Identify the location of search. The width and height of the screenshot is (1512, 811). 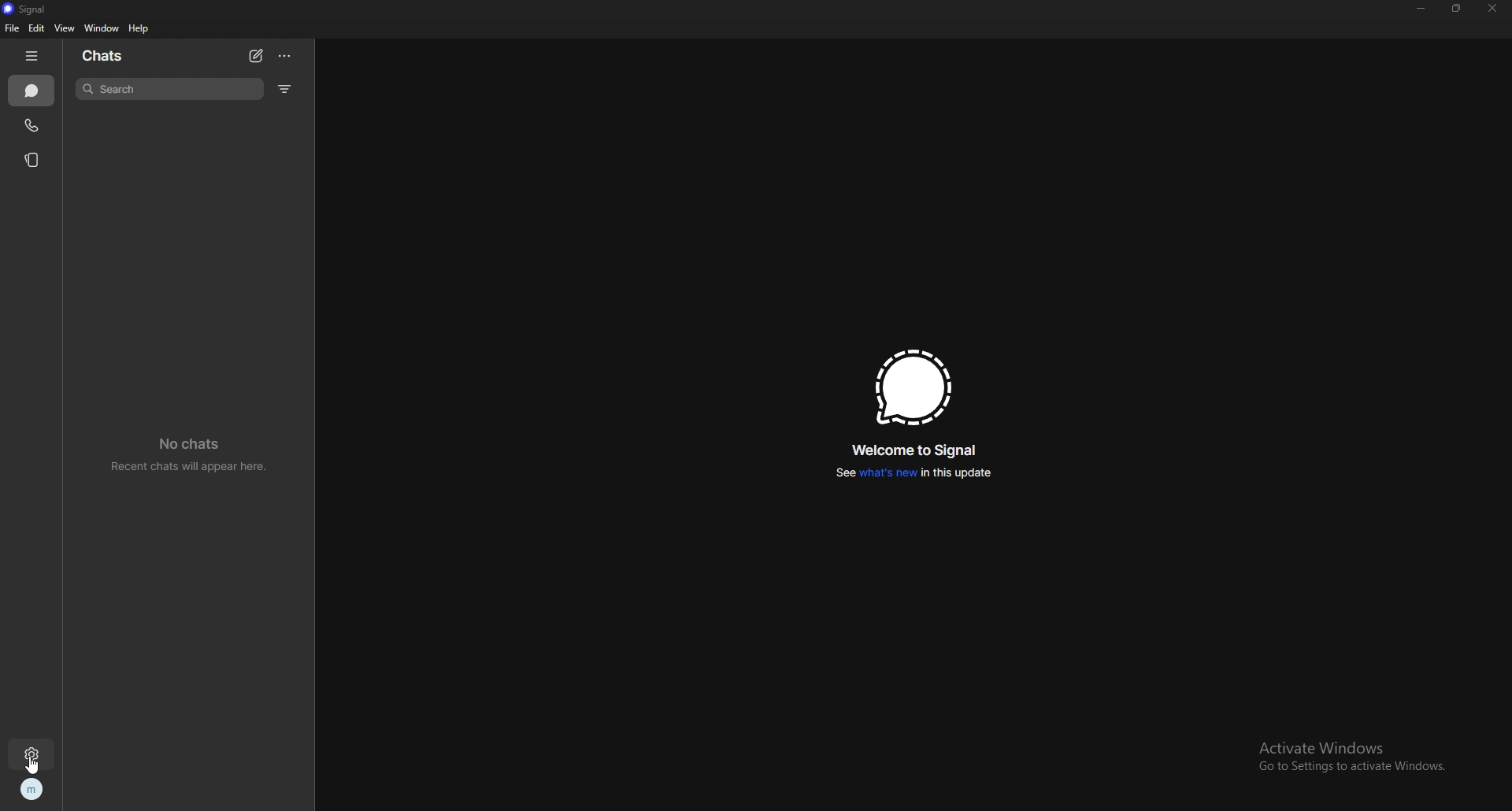
(169, 89).